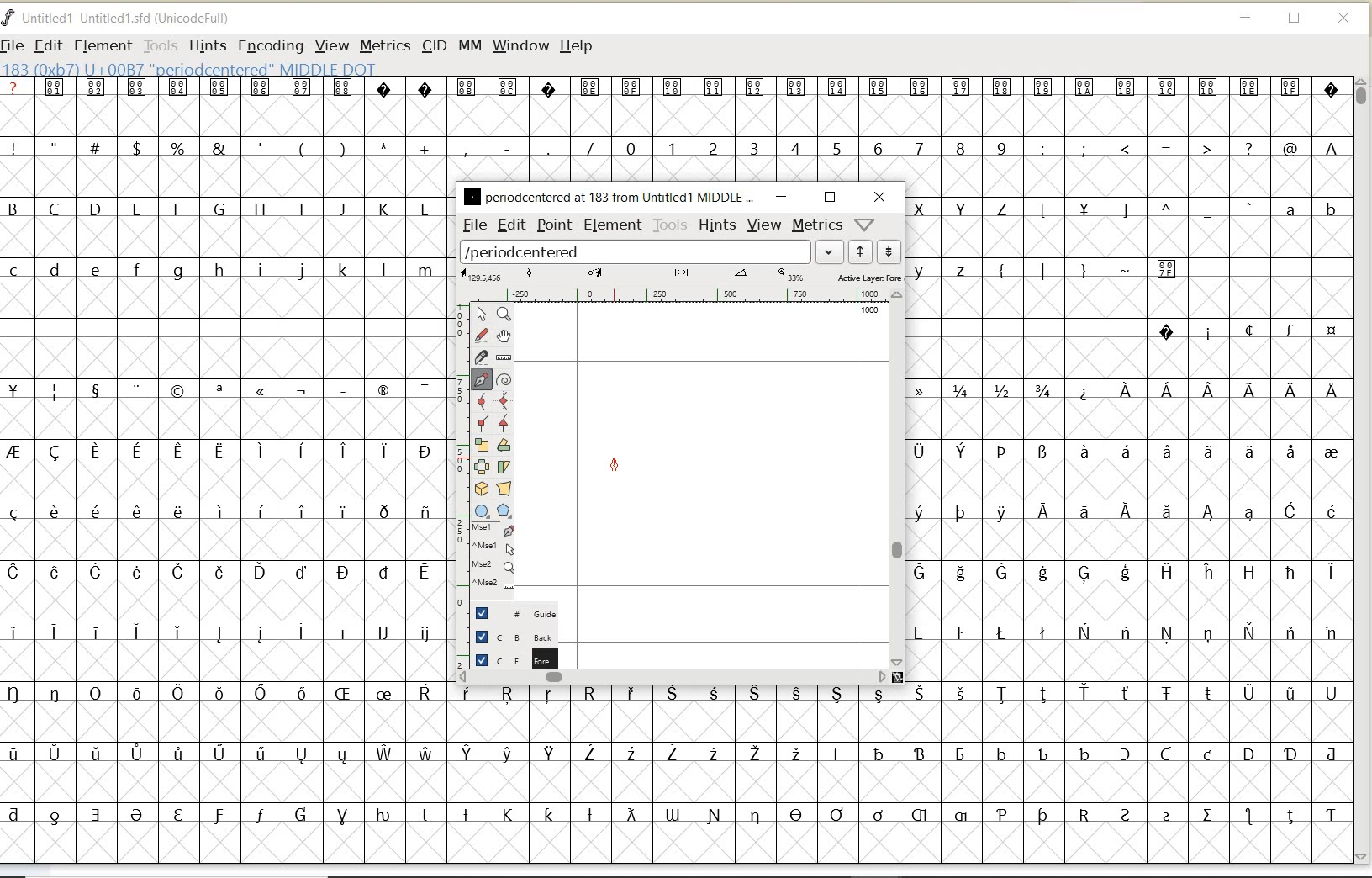  What do you see at coordinates (1345, 19) in the screenshot?
I see `CLOSE` at bounding box center [1345, 19].